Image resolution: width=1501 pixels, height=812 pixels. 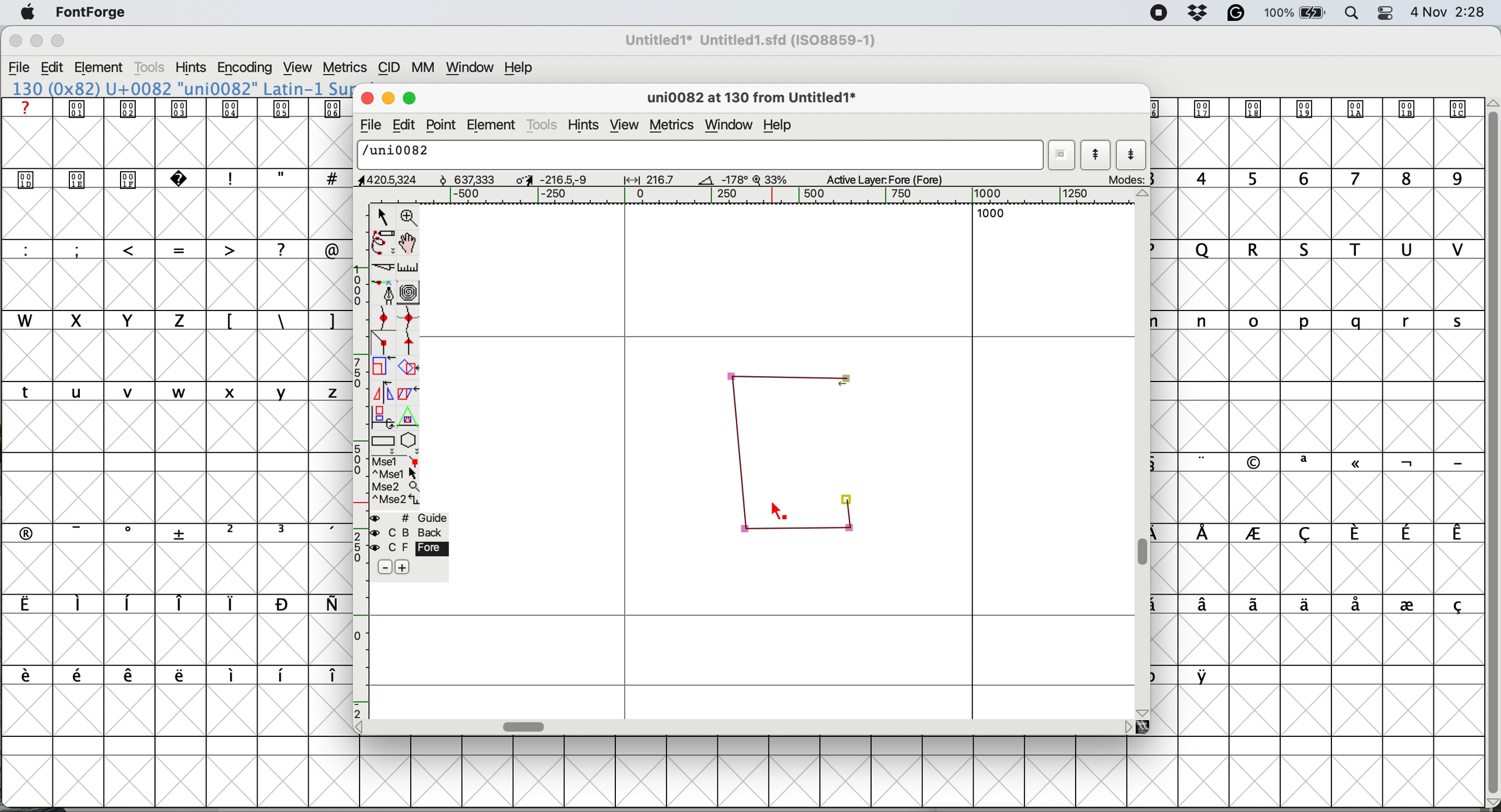 I want to click on cut splines in two, so click(x=386, y=267).